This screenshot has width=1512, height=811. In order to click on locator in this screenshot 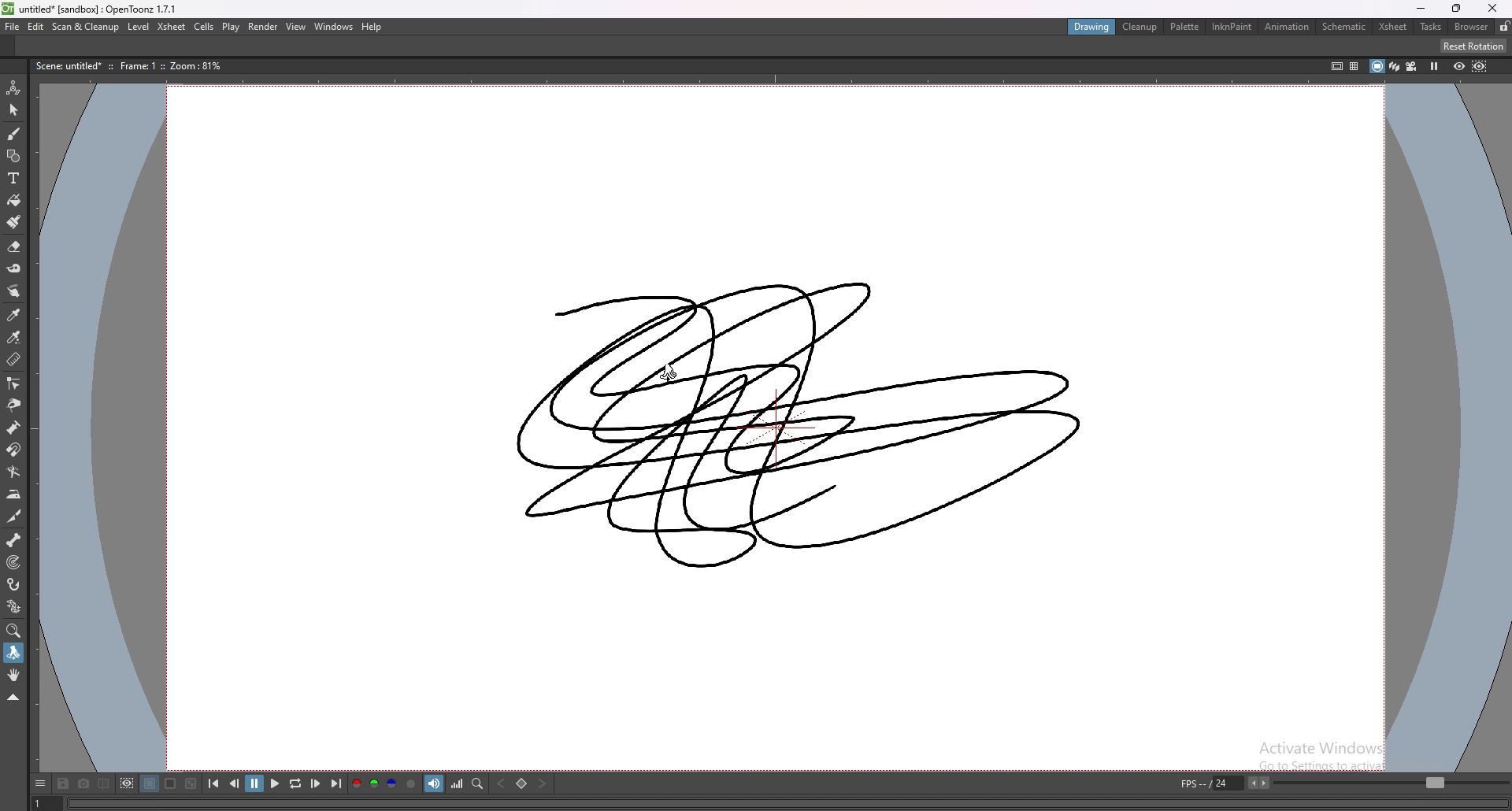, I will do `click(478, 784)`.